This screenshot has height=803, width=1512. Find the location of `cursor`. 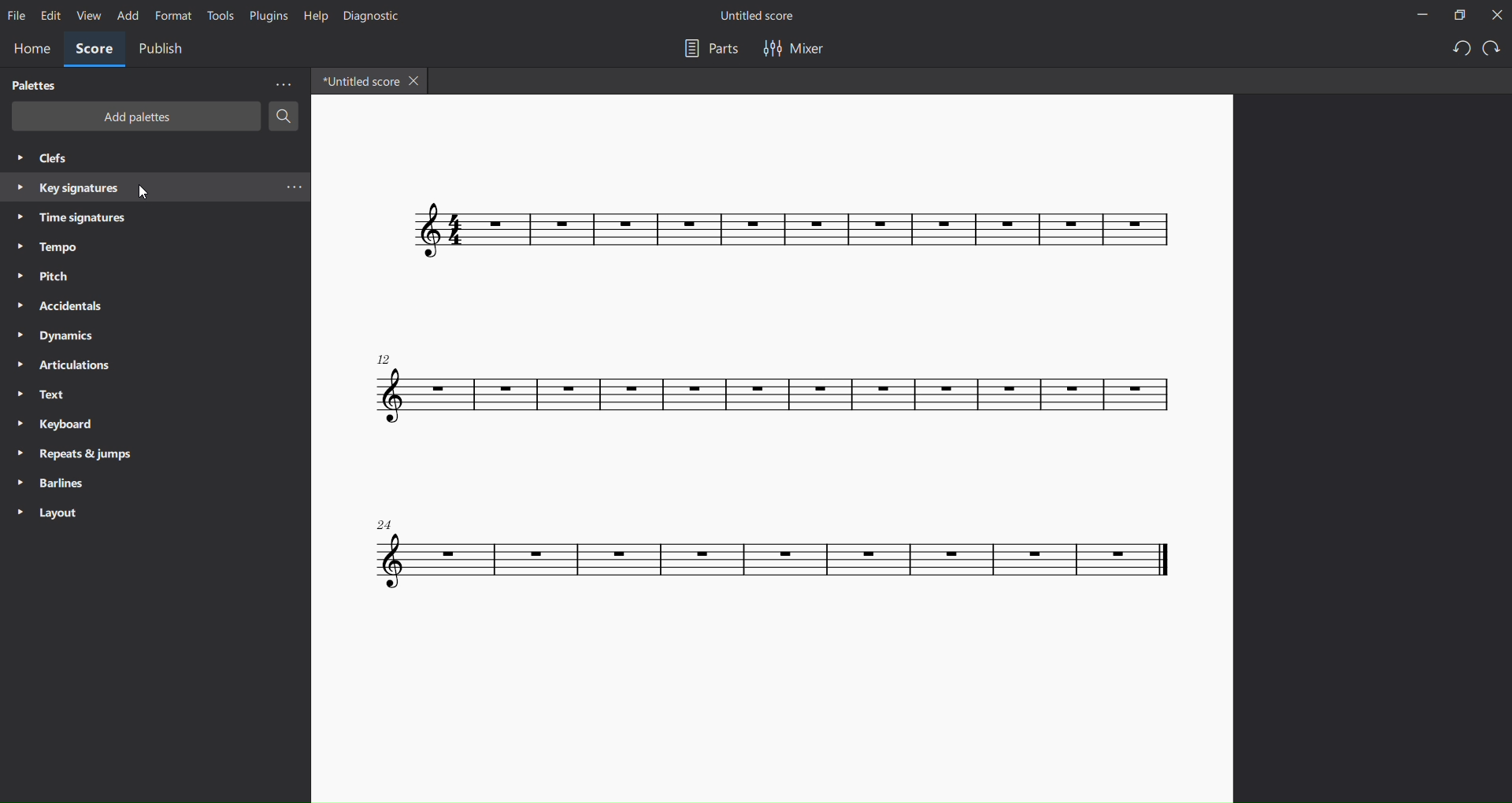

cursor is located at coordinates (144, 191).